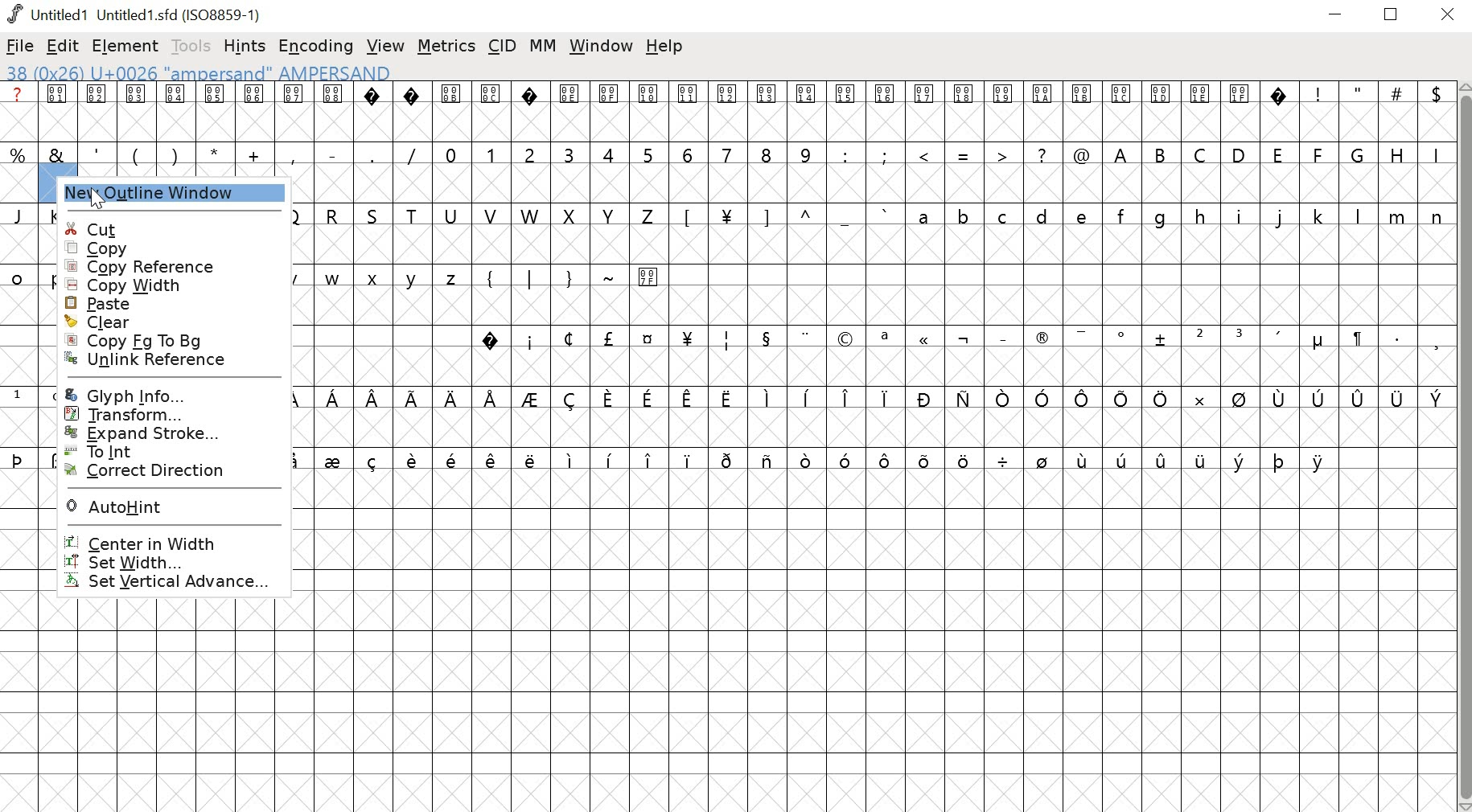  Describe the element at coordinates (98, 110) in the screenshot. I see `0002` at that location.